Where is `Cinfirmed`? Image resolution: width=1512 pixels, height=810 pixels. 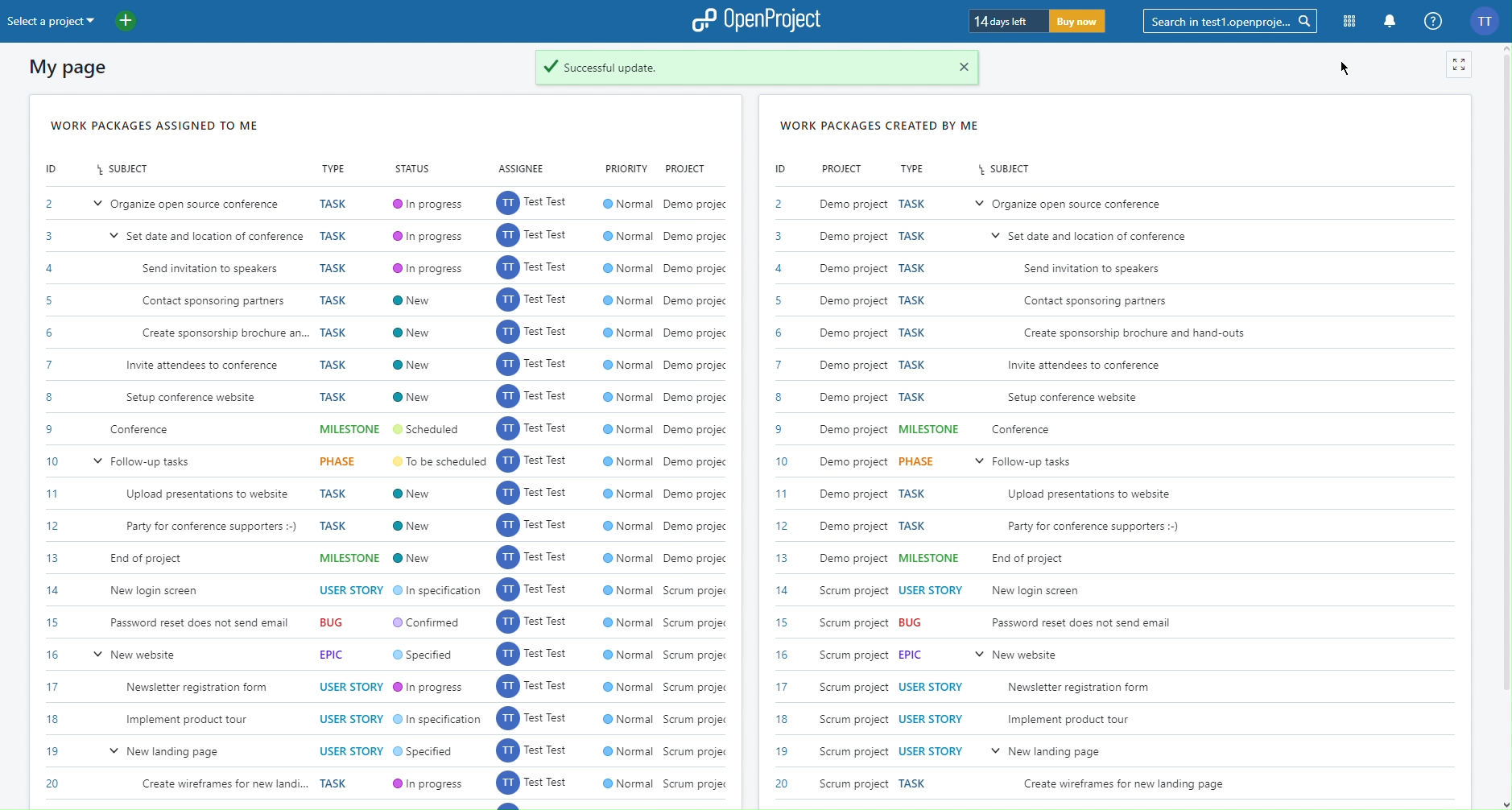 Cinfirmed is located at coordinates (431, 623).